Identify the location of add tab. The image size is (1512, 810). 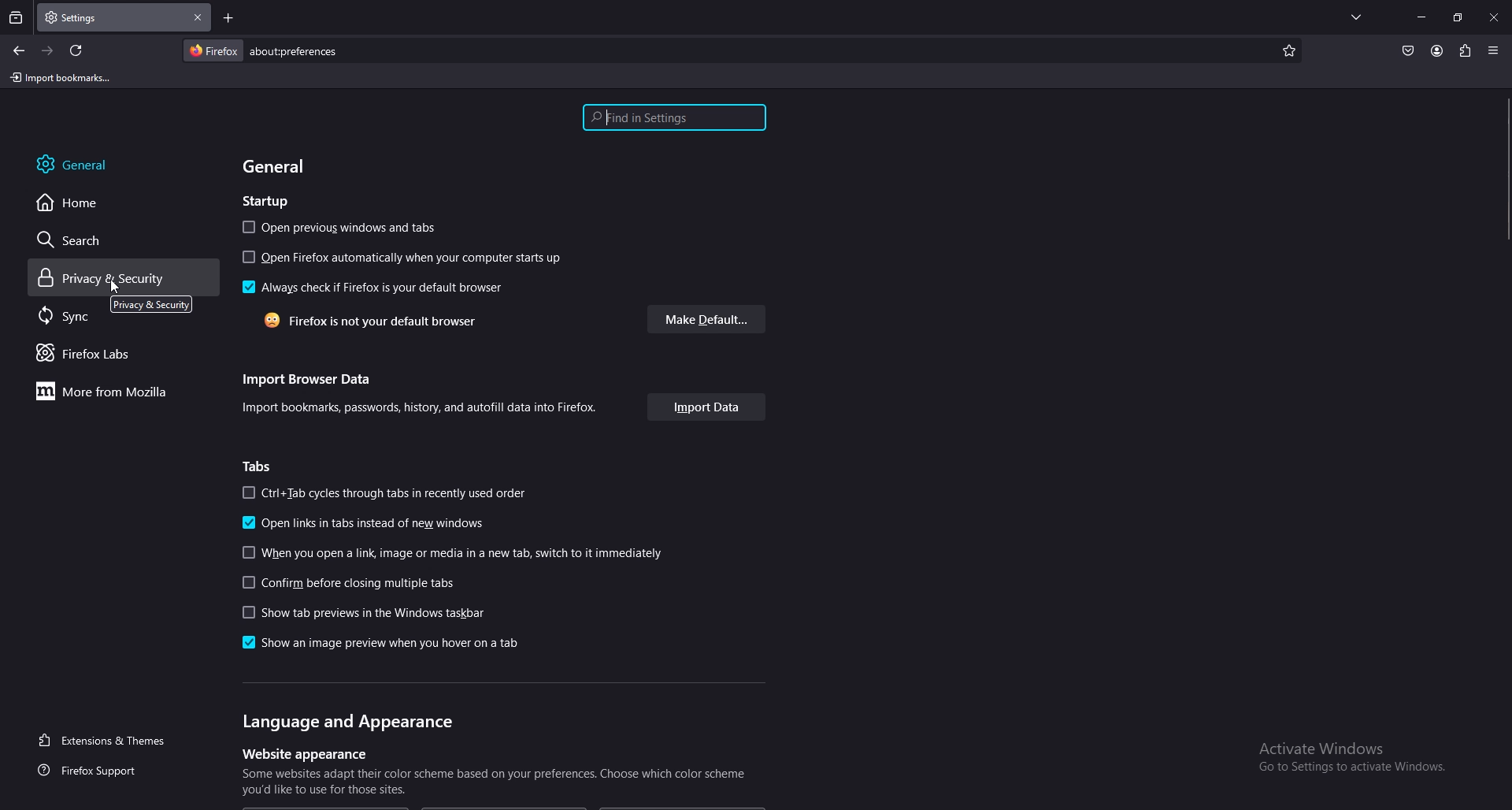
(227, 17).